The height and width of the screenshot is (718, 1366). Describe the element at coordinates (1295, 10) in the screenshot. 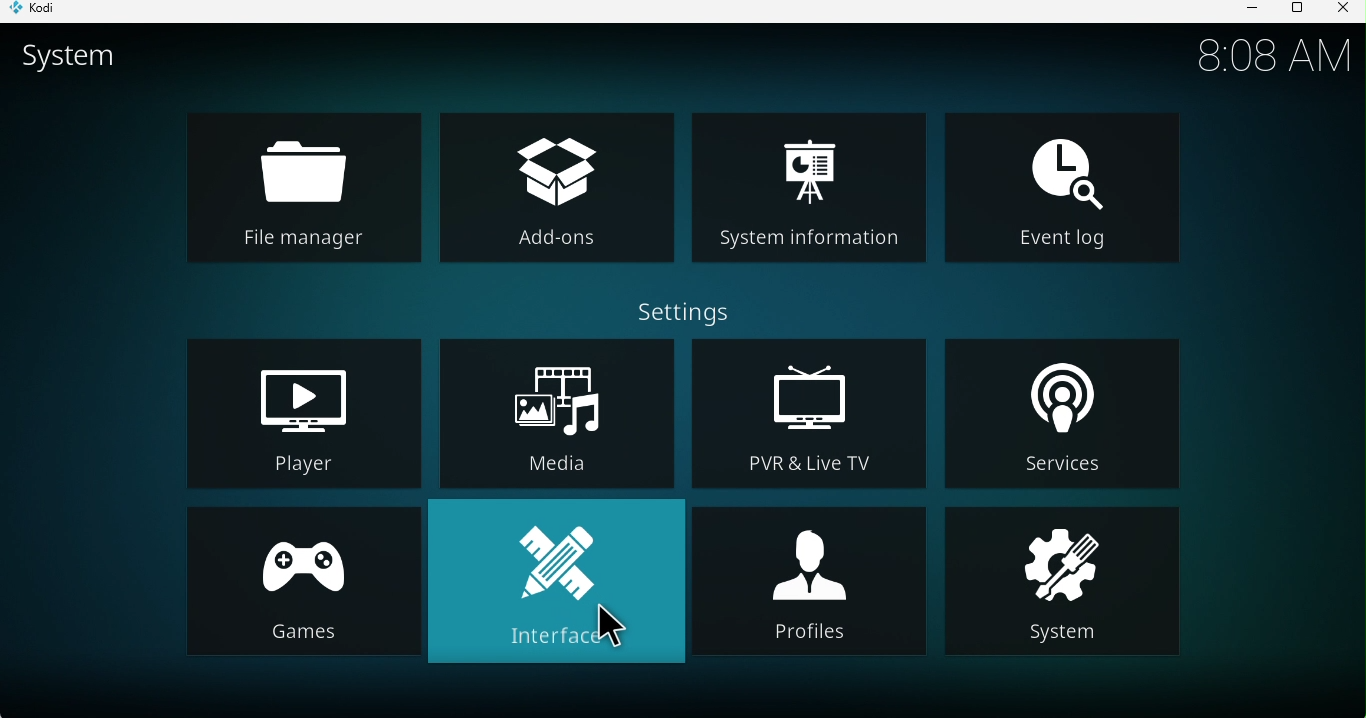

I see `Maximize` at that location.